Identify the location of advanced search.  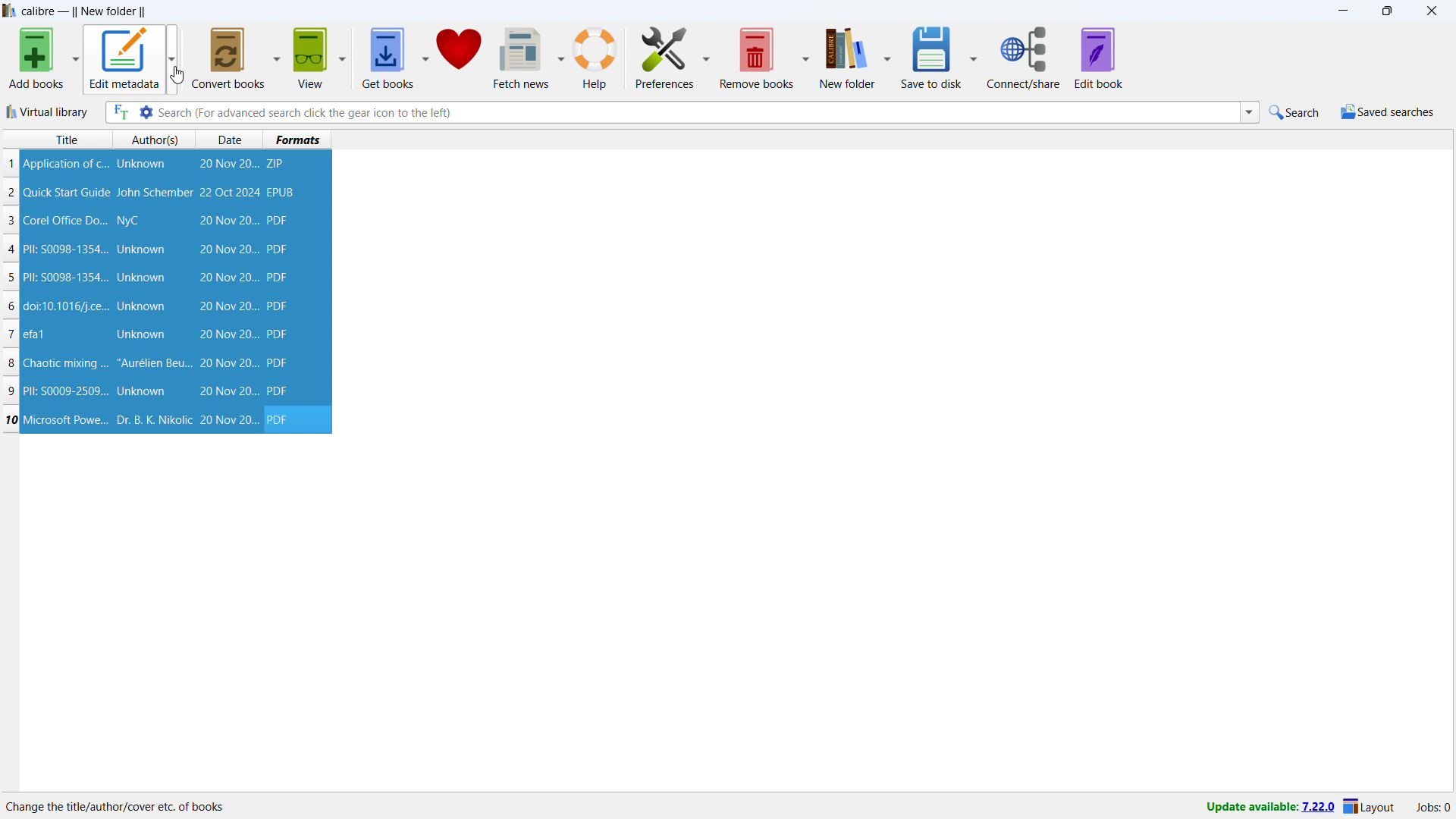
(146, 111).